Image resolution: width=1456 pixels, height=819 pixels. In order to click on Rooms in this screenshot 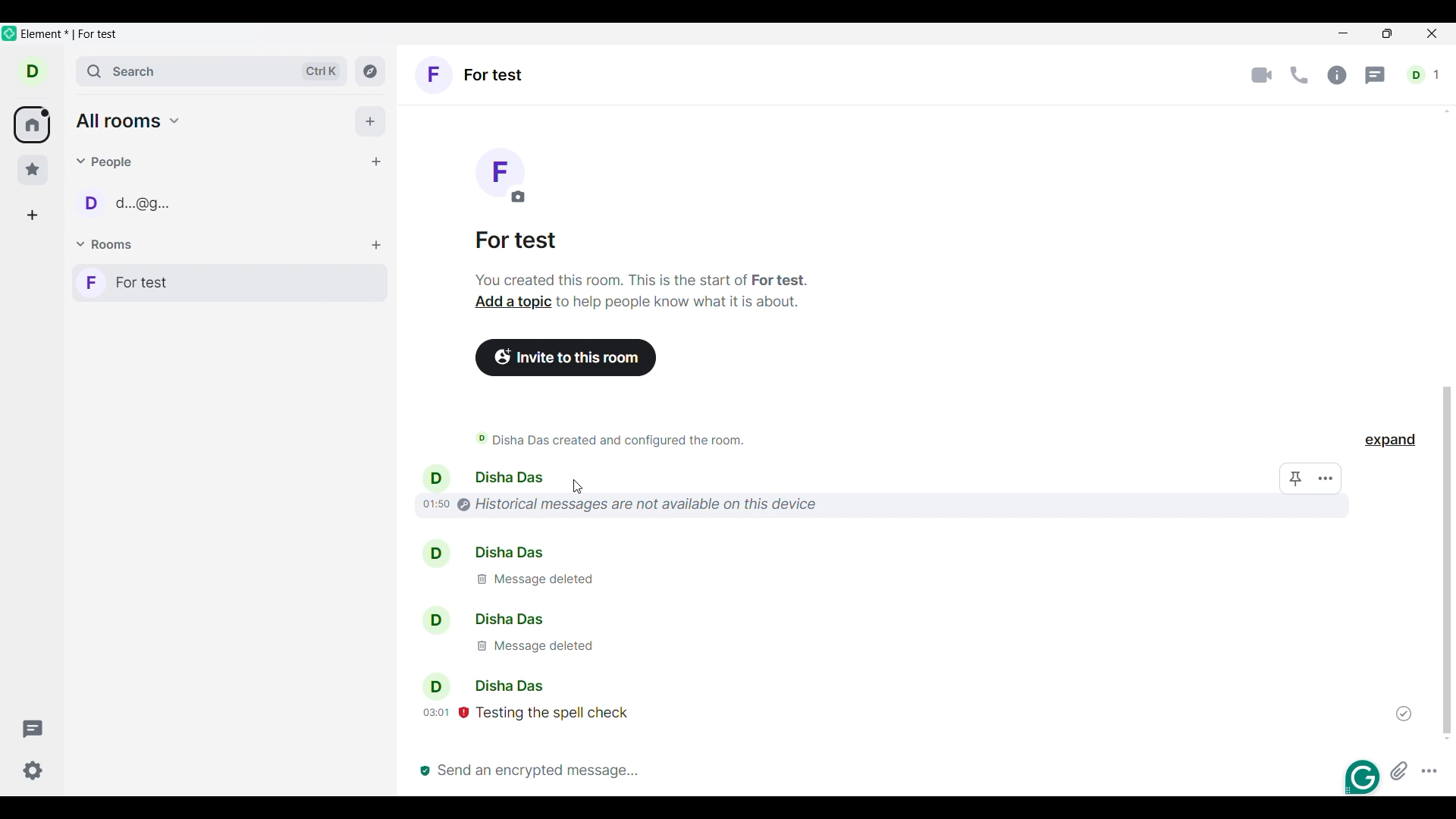, I will do `click(107, 245)`.